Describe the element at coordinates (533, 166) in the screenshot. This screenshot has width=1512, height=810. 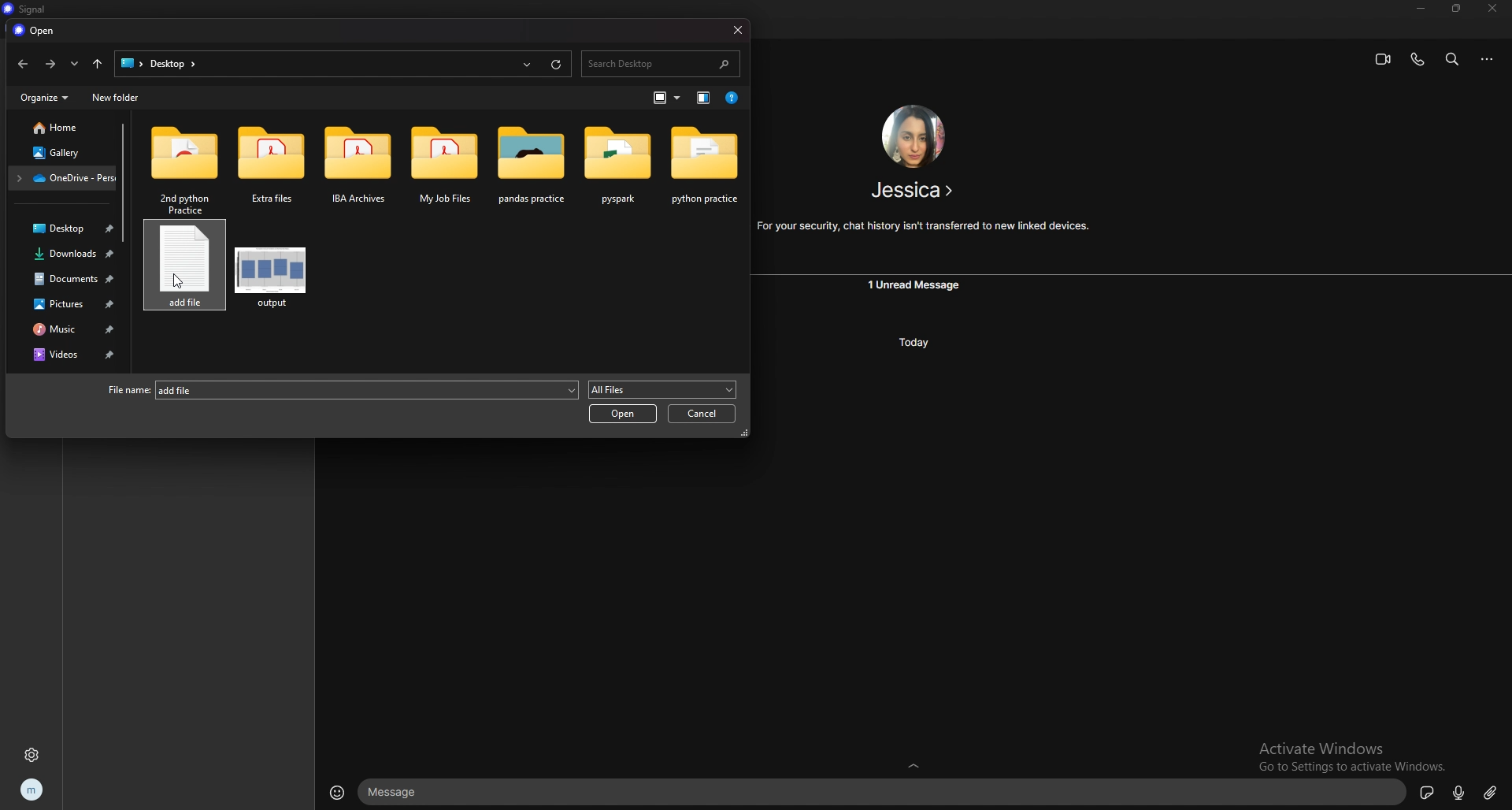
I see `folder` at that location.